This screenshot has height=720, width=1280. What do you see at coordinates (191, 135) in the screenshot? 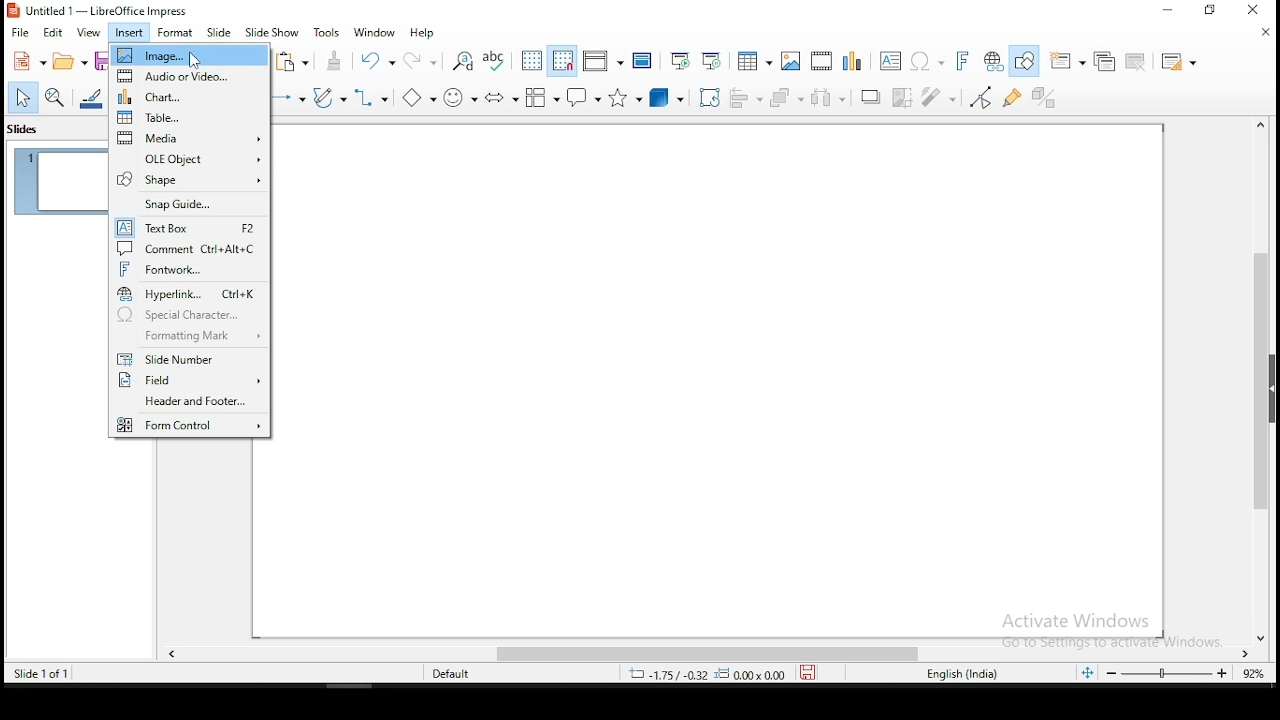
I see `media` at bounding box center [191, 135].